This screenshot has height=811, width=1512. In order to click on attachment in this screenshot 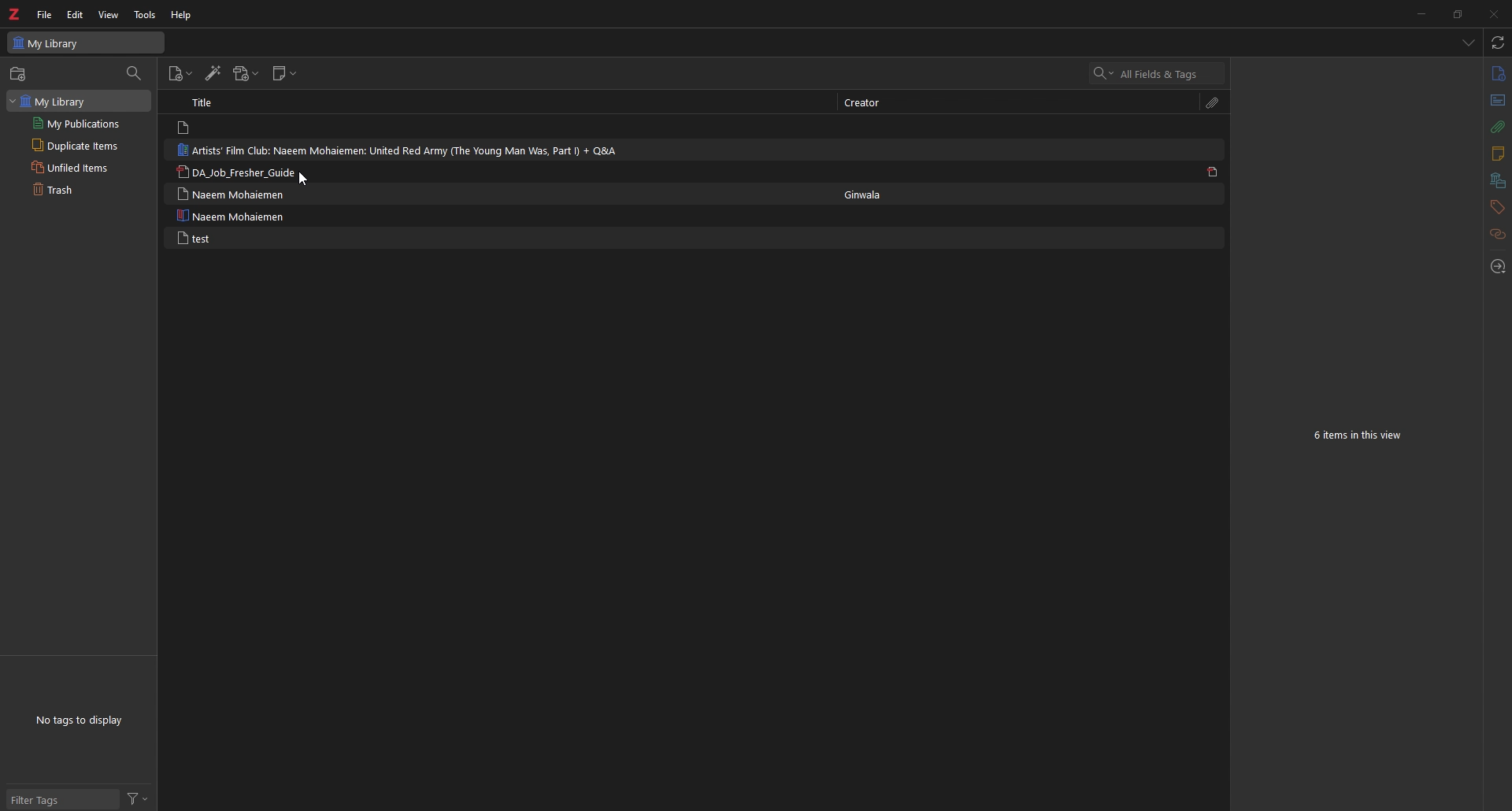, I will do `click(1215, 102)`.